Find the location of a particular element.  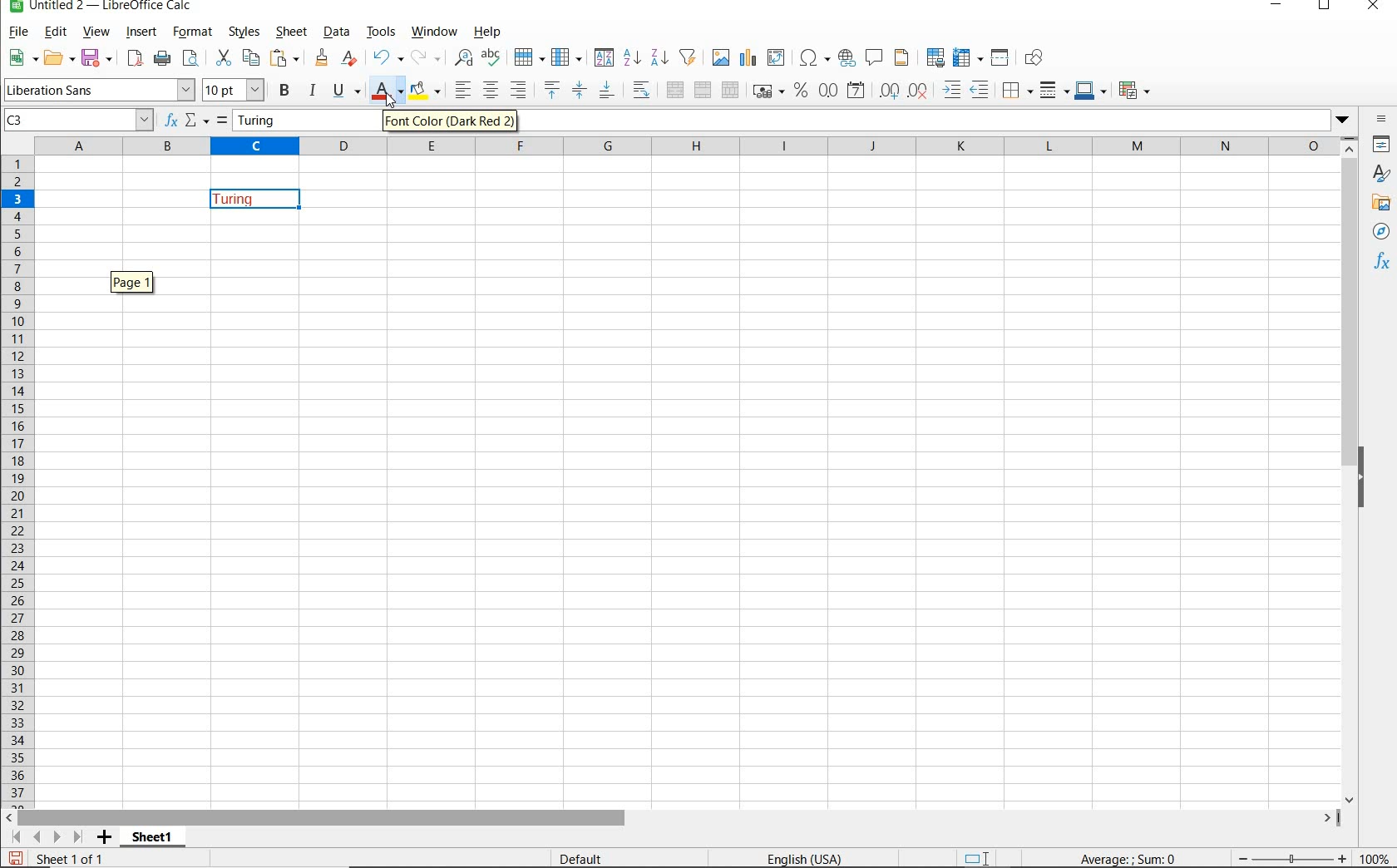

ADD DECIMAL PLACE is located at coordinates (886, 88).